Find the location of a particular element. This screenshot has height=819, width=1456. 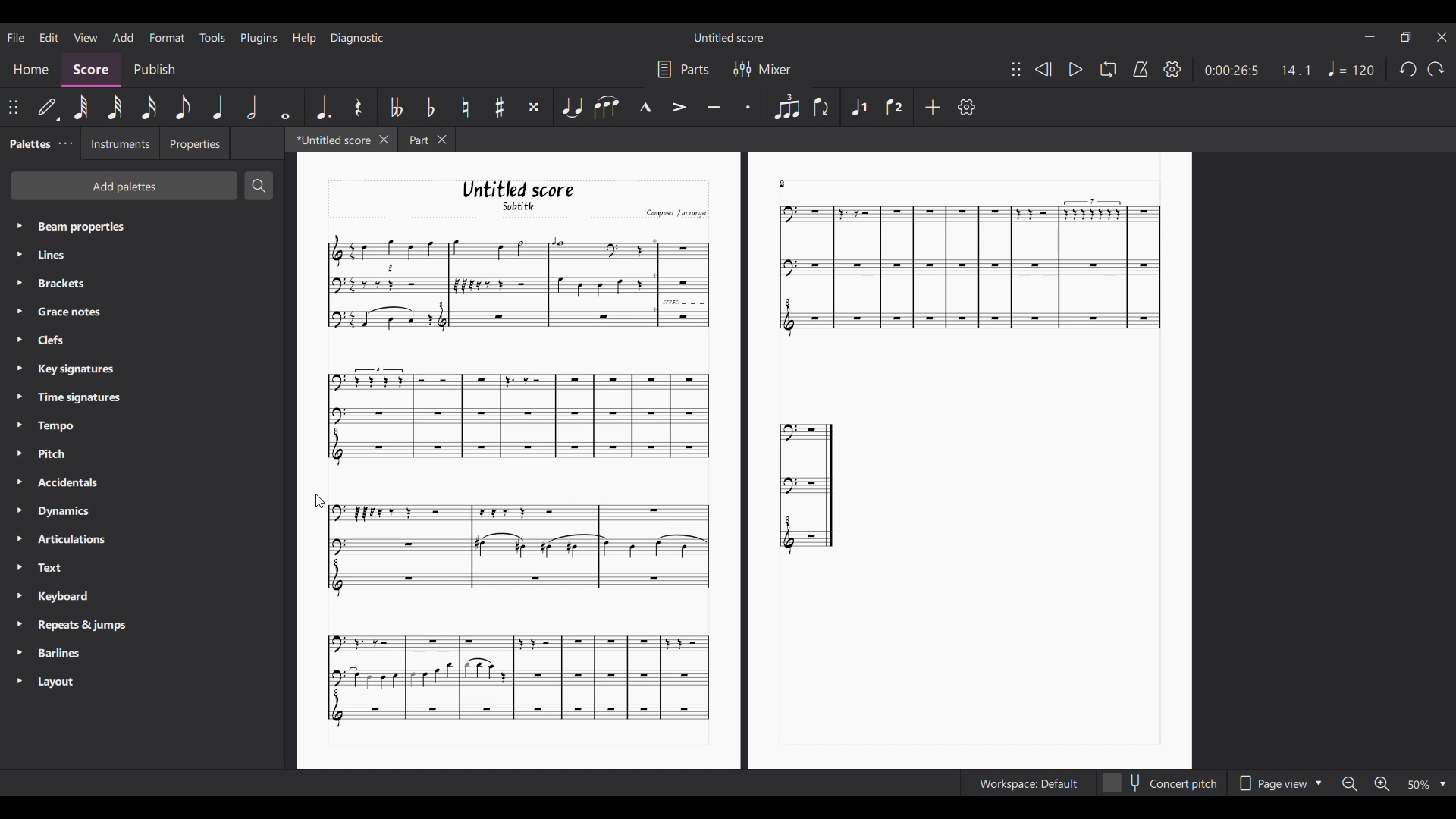

cursor is located at coordinates (322, 502).